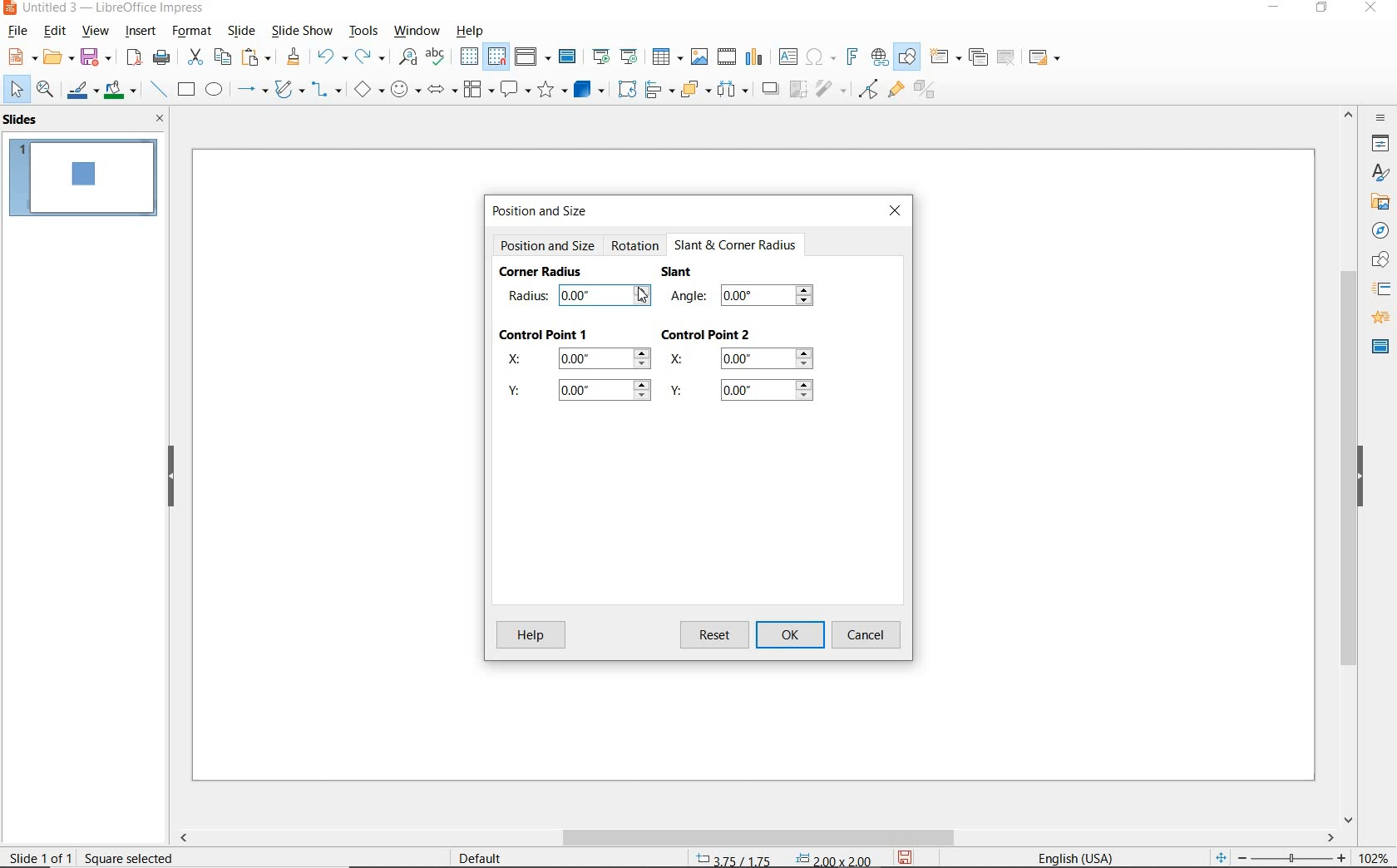 This screenshot has height=868, width=1397. Describe the element at coordinates (1349, 466) in the screenshot. I see `scrollbar` at that location.